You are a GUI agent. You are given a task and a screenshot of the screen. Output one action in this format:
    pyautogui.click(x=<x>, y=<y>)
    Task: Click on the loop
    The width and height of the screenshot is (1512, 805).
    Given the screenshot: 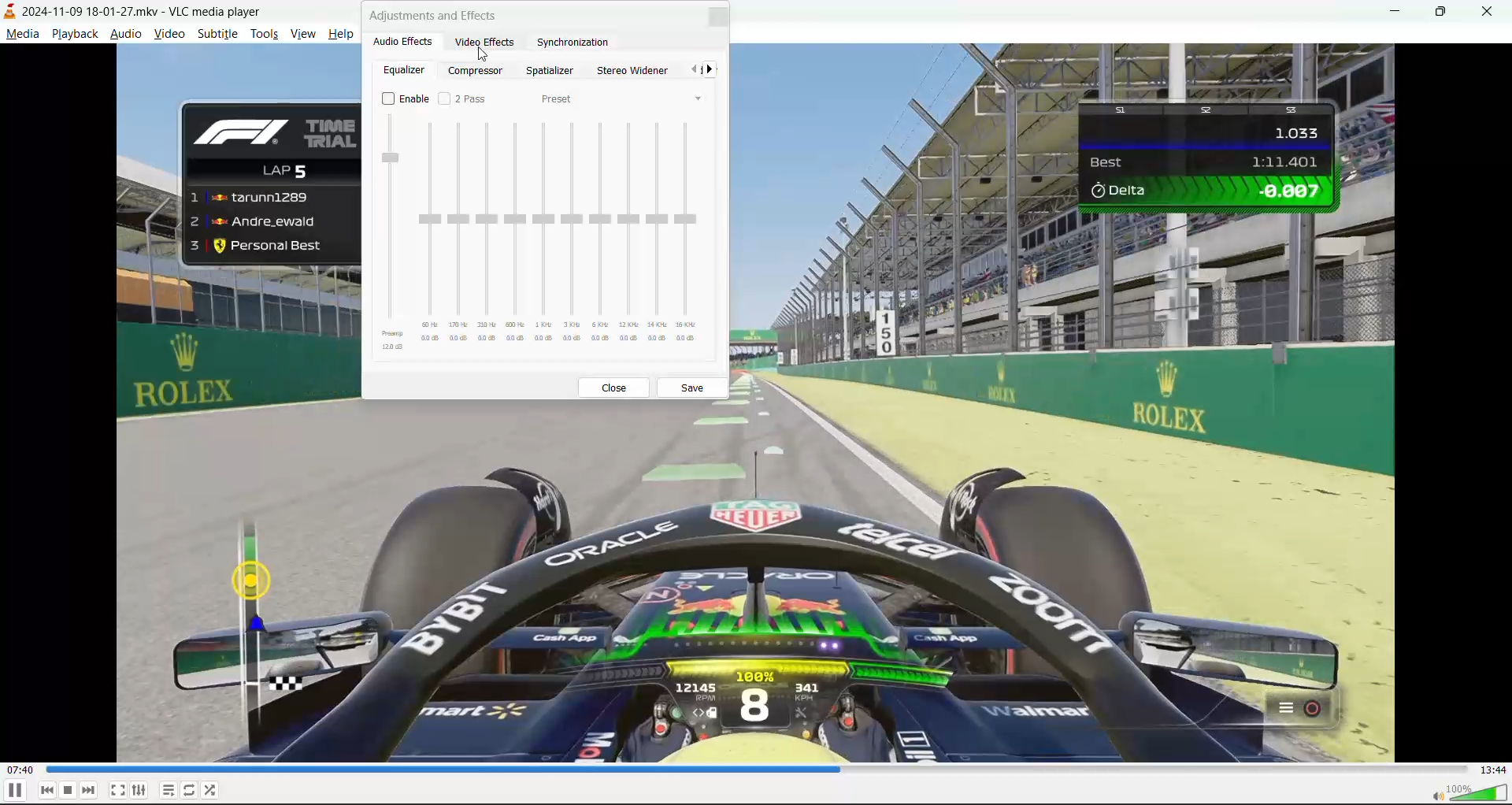 What is the action you would take?
    pyautogui.click(x=188, y=788)
    